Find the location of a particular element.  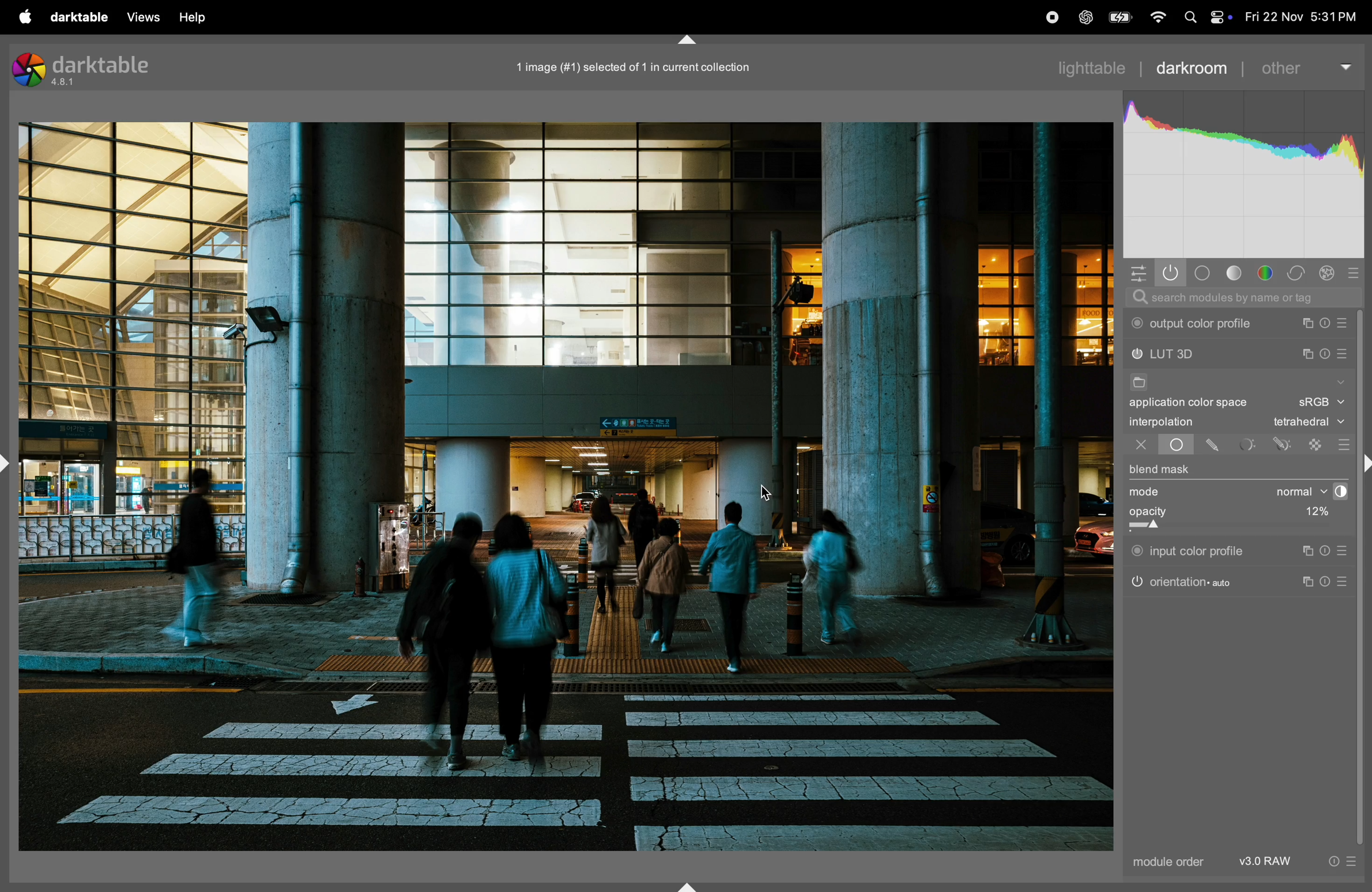

instance is located at coordinates (1306, 551).